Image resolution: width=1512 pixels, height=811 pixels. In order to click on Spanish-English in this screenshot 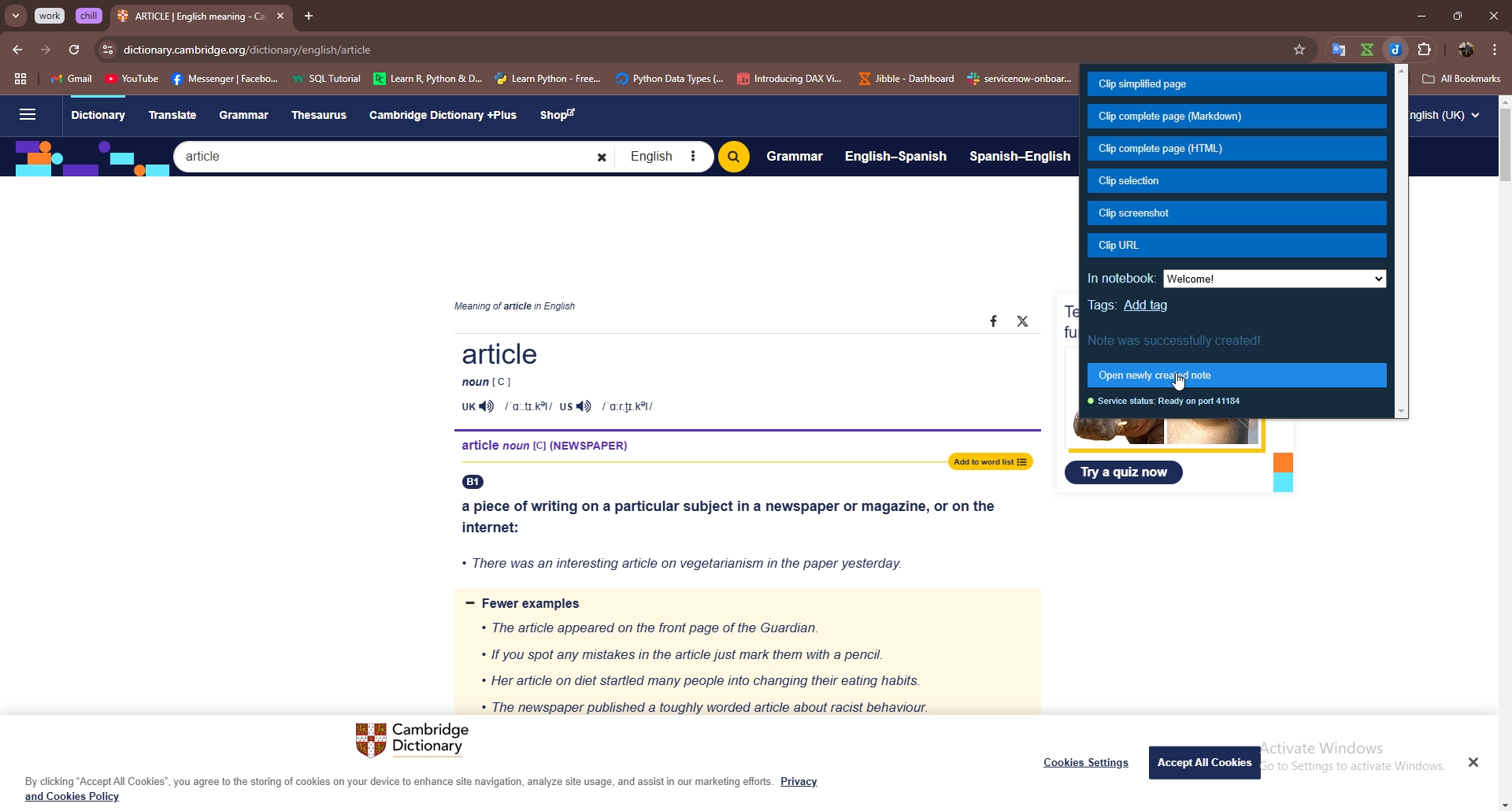, I will do `click(1021, 158)`.